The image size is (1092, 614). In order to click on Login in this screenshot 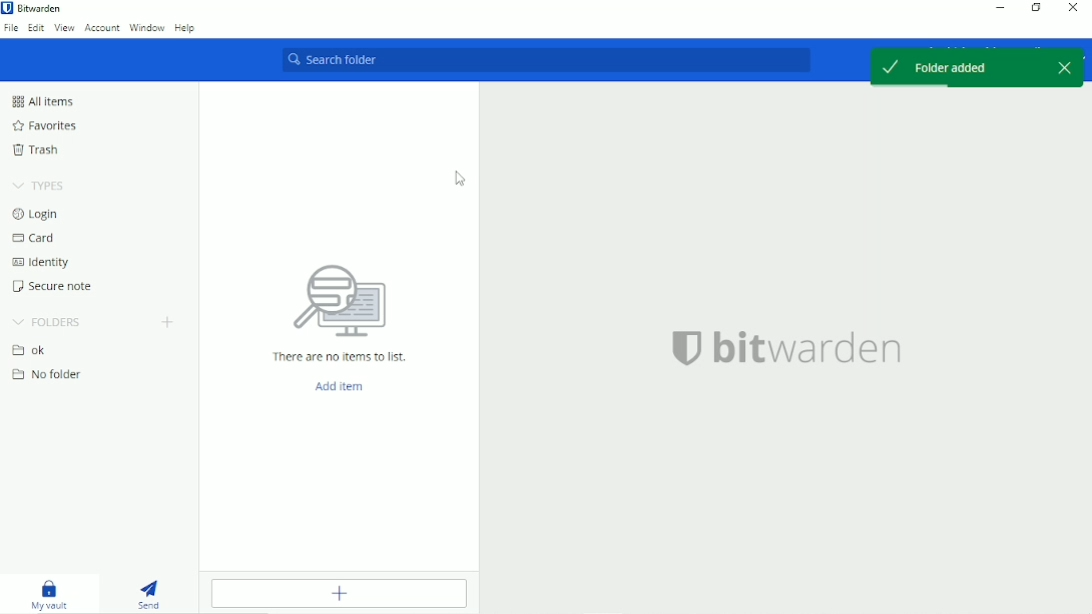, I will do `click(40, 215)`.